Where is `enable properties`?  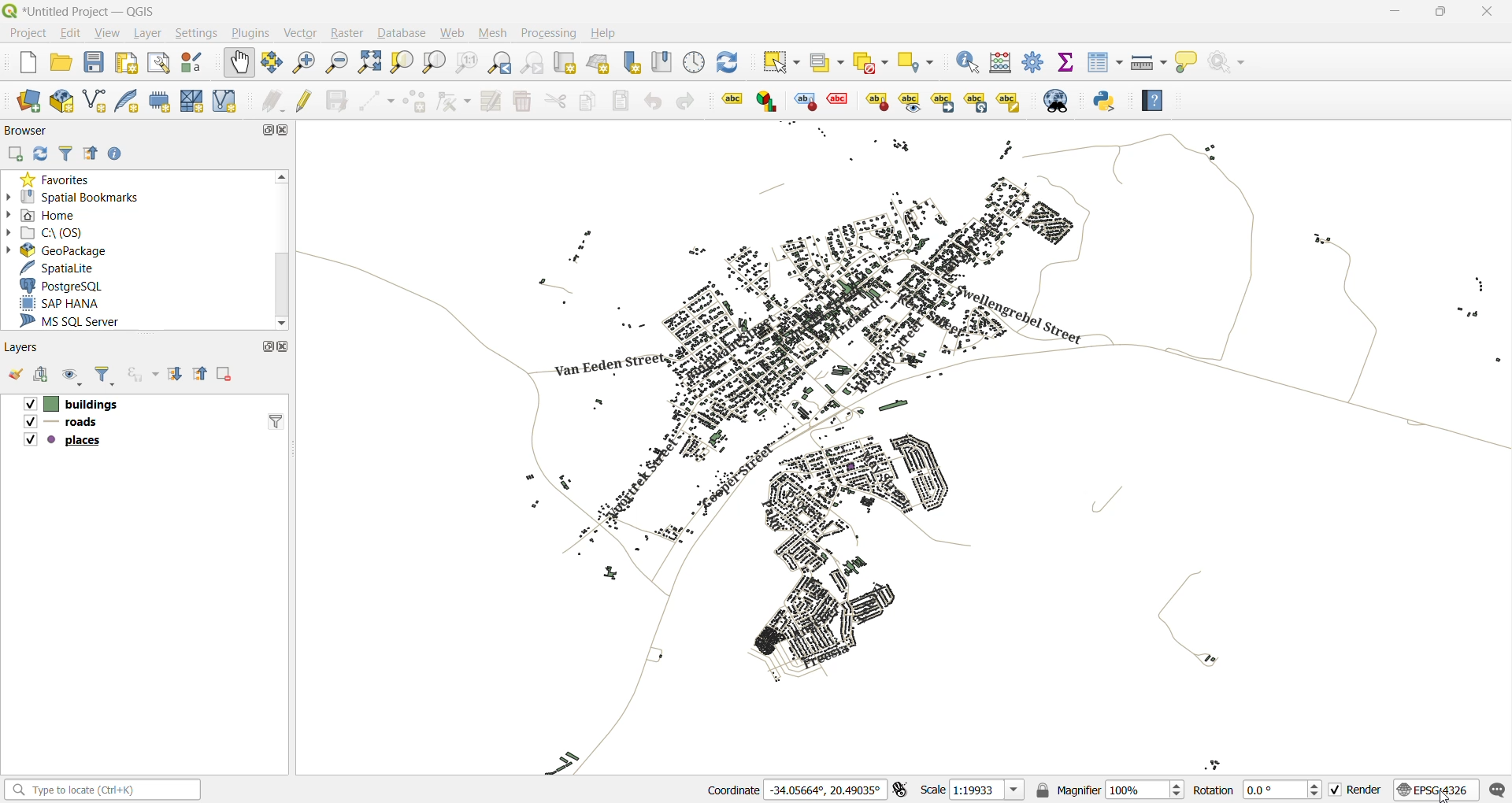
enable properties is located at coordinates (117, 154).